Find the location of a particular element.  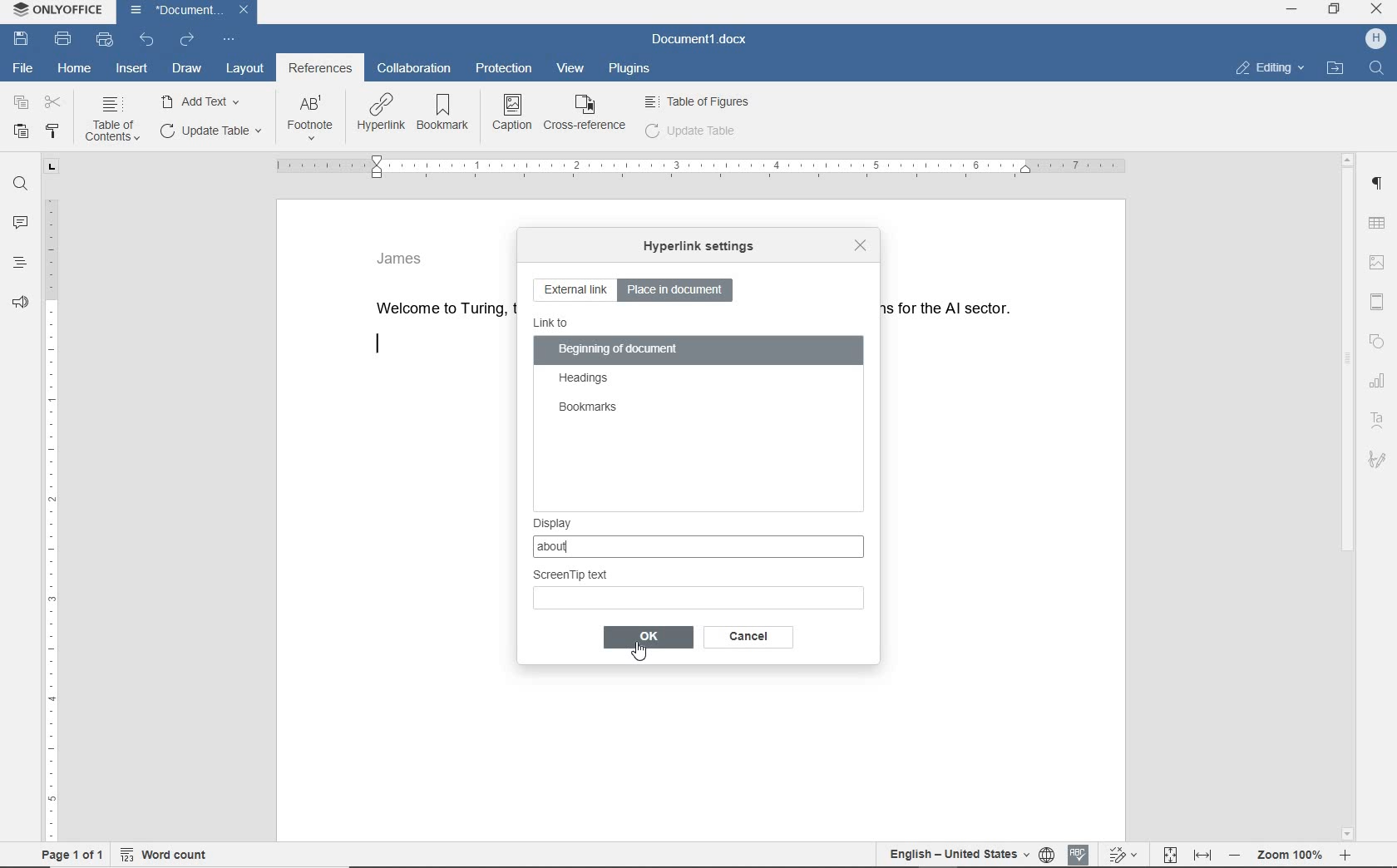

HYPERLINK is located at coordinates (382, 114).